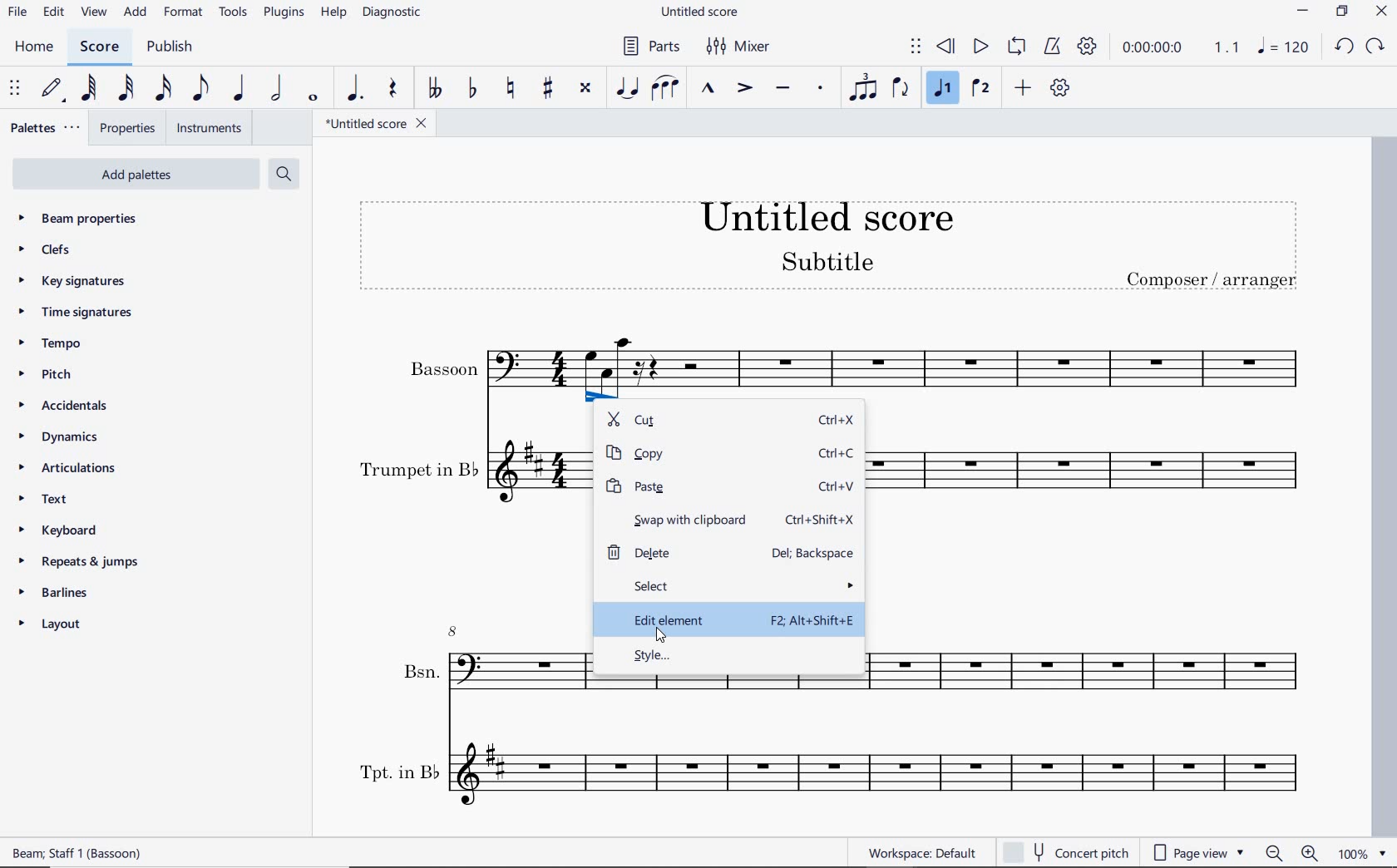 This screenshot has width=1397, height=868. What do you see at coordinates (201, 88) in the screenshot?
I see `eighth note` at bounding box center [201, 88].